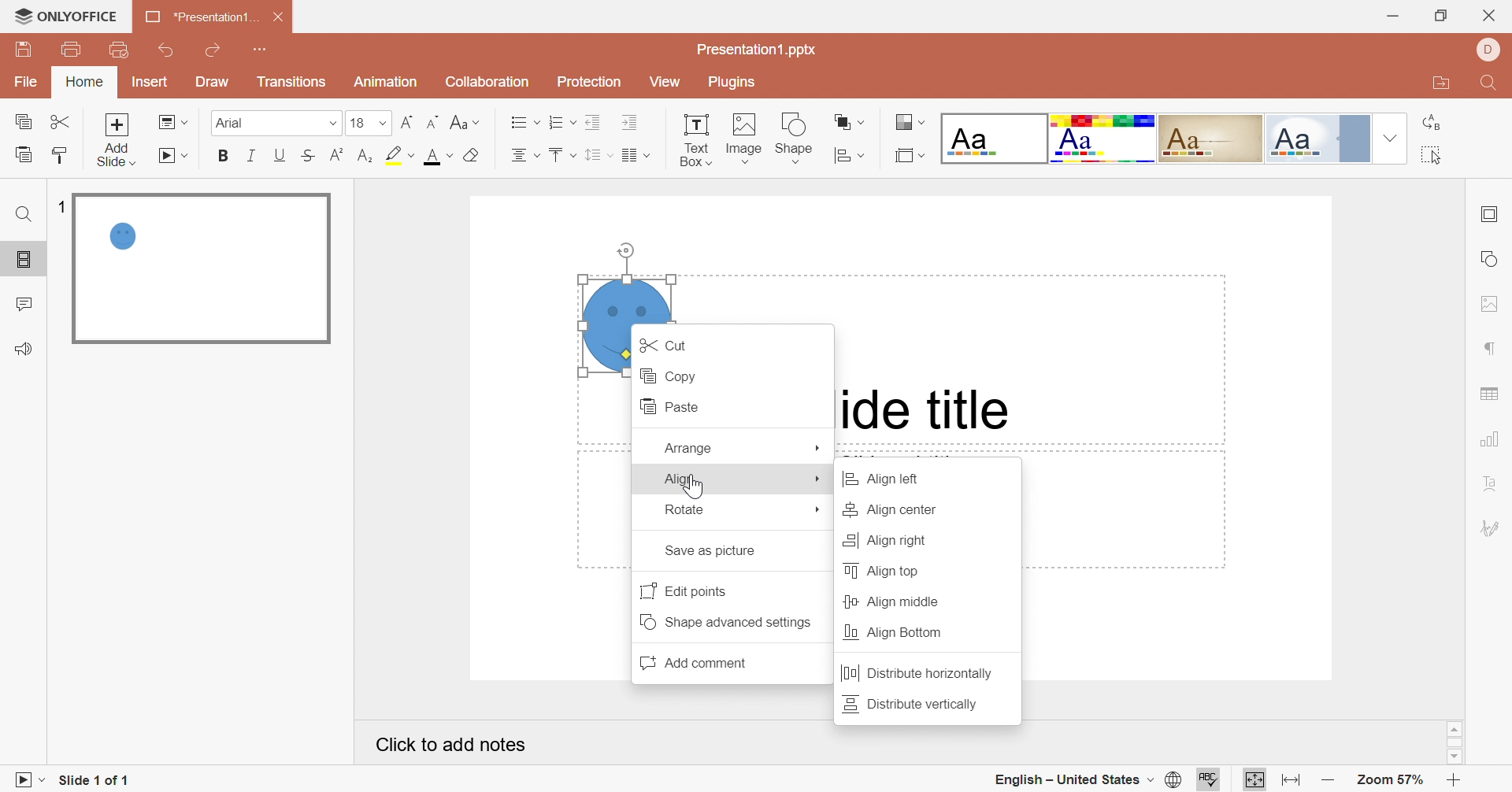 The width and height of the screenshot is (1512, 792). Describe the element at coordinates (28, 305) in the screenshot. I see `Comments` at that location.